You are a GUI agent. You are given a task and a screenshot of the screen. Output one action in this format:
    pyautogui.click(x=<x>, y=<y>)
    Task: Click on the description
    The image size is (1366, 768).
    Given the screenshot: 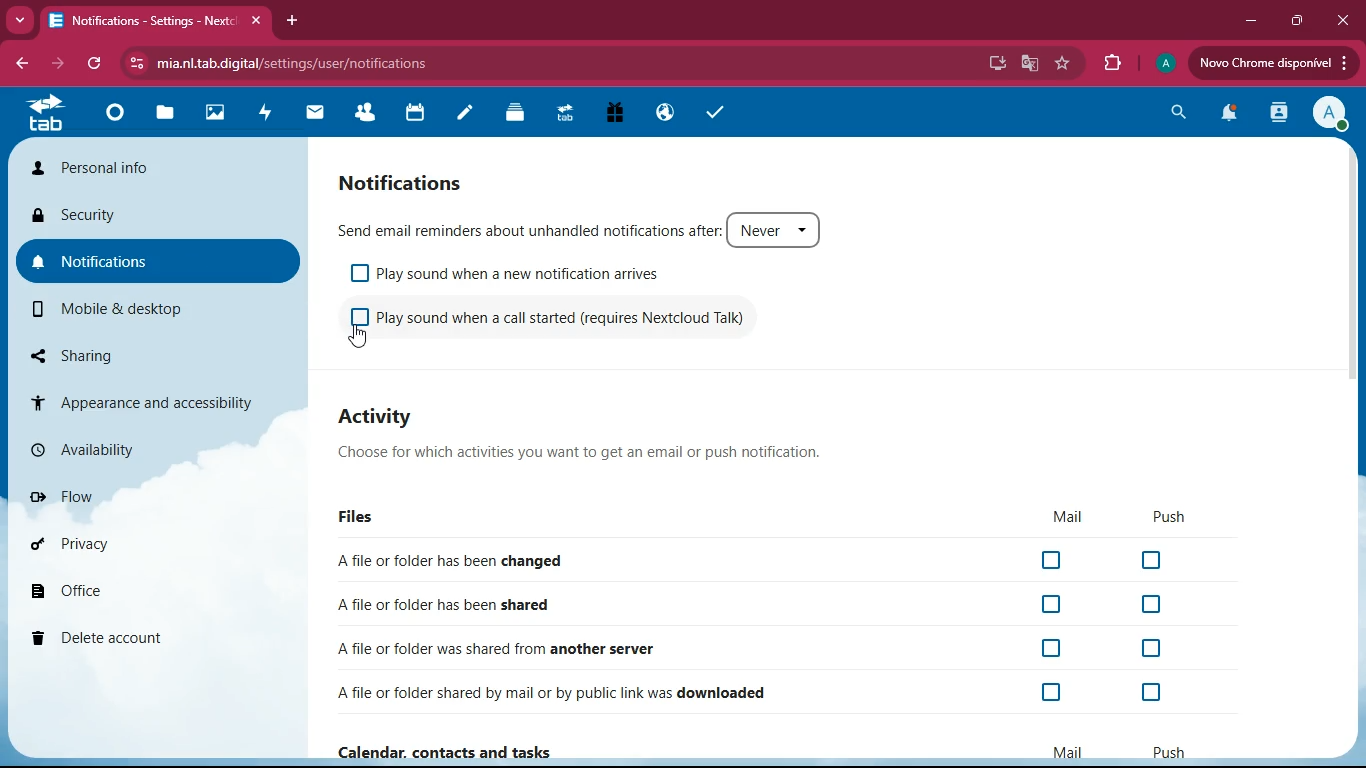 What is the action you would take?
    pyautogui.click(x=581, y=455)
    